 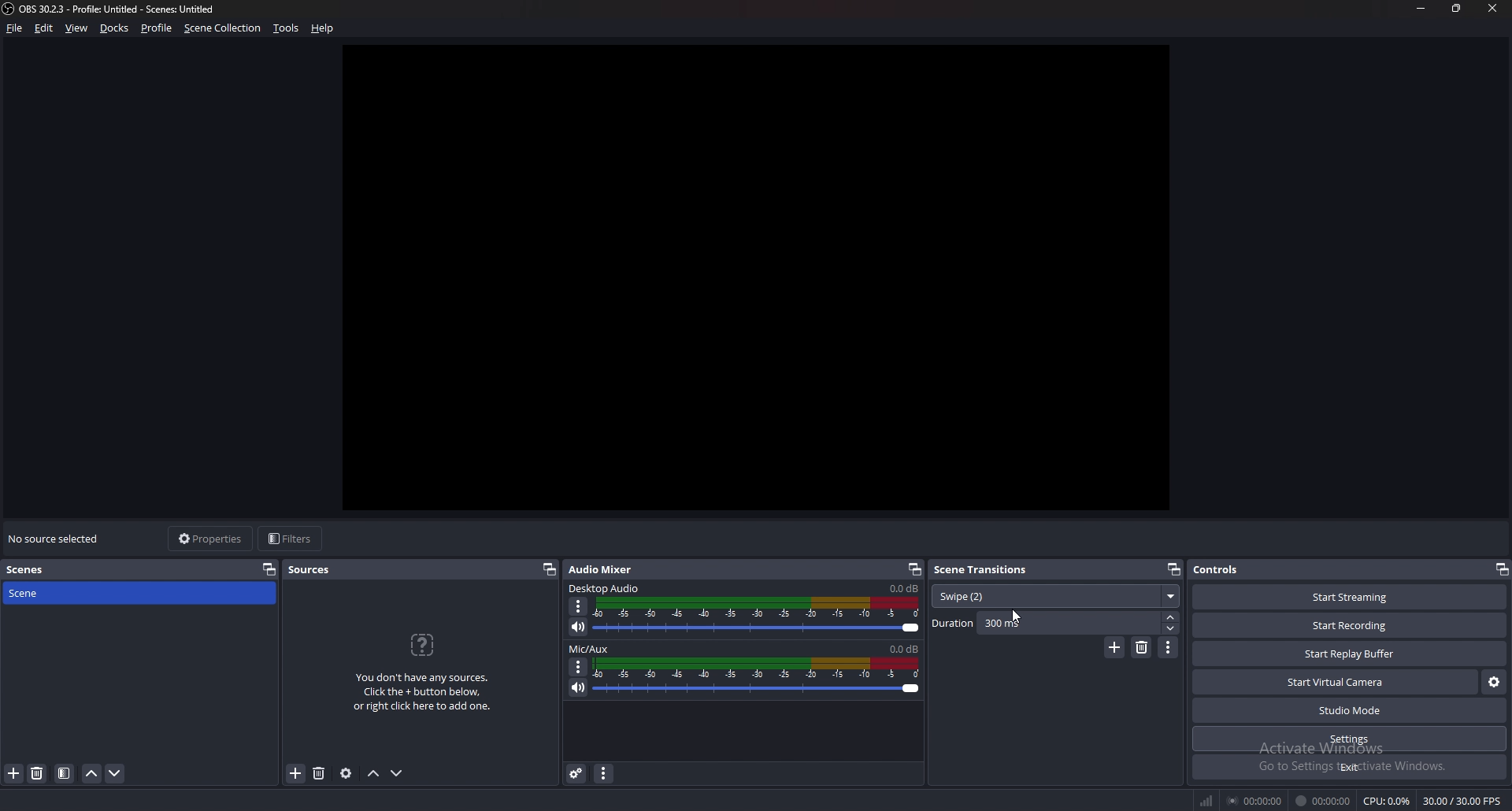 I want to click on canvas, so click(x=771, y=284).